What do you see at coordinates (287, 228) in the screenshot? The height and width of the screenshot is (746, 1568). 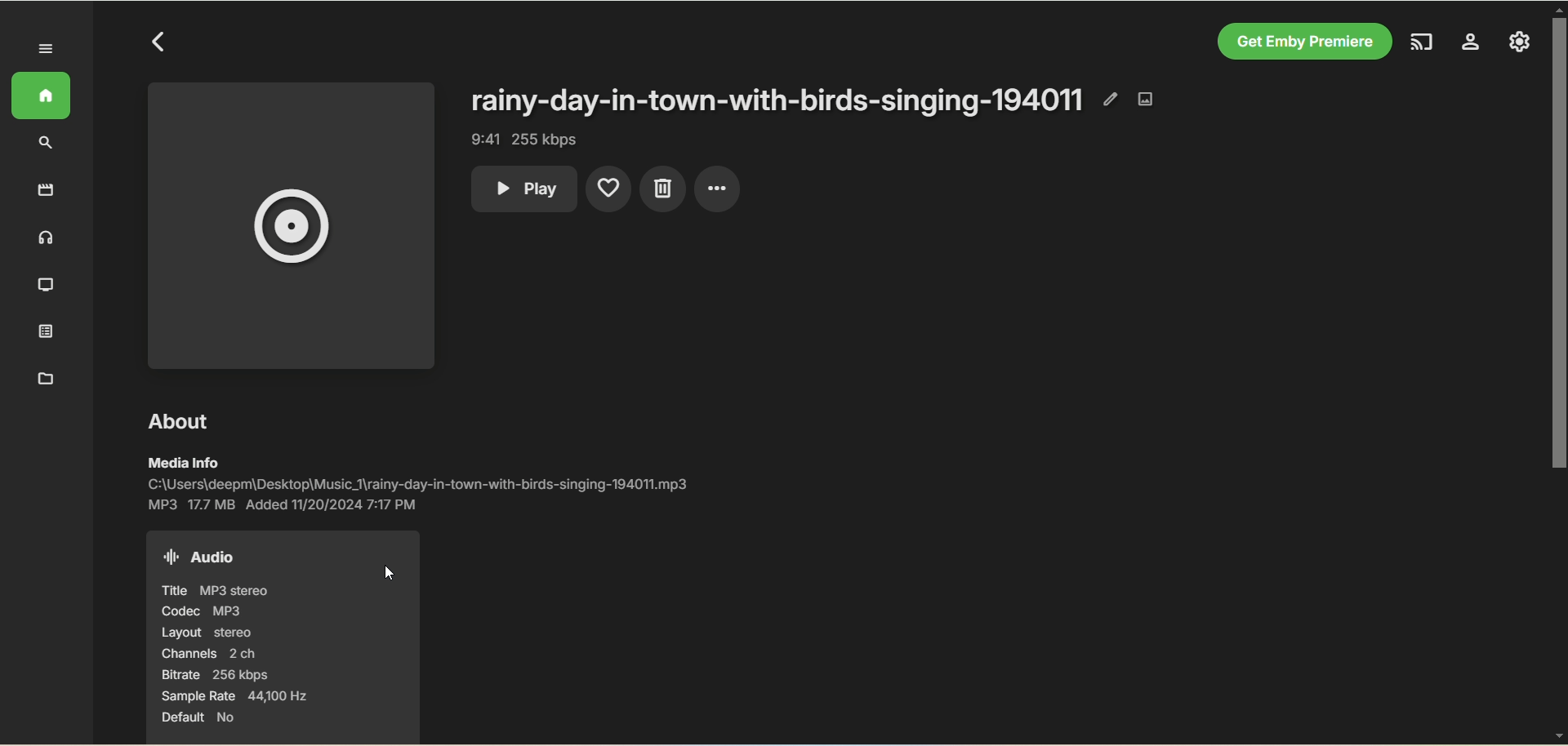 I see `music album` at bounding box center [287, 228].